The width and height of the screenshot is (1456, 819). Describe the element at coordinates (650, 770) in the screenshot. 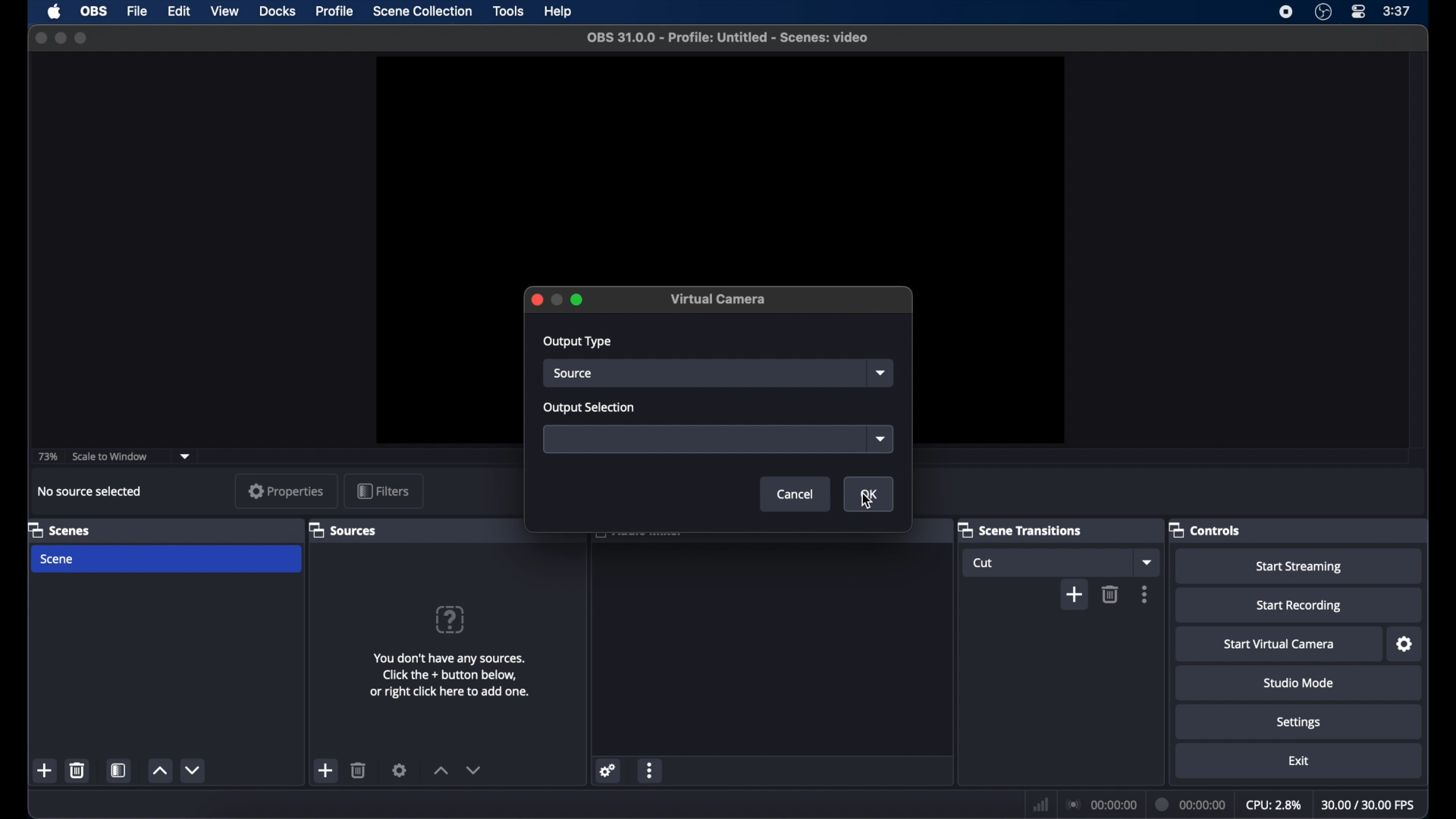

I see `more options` at that location.